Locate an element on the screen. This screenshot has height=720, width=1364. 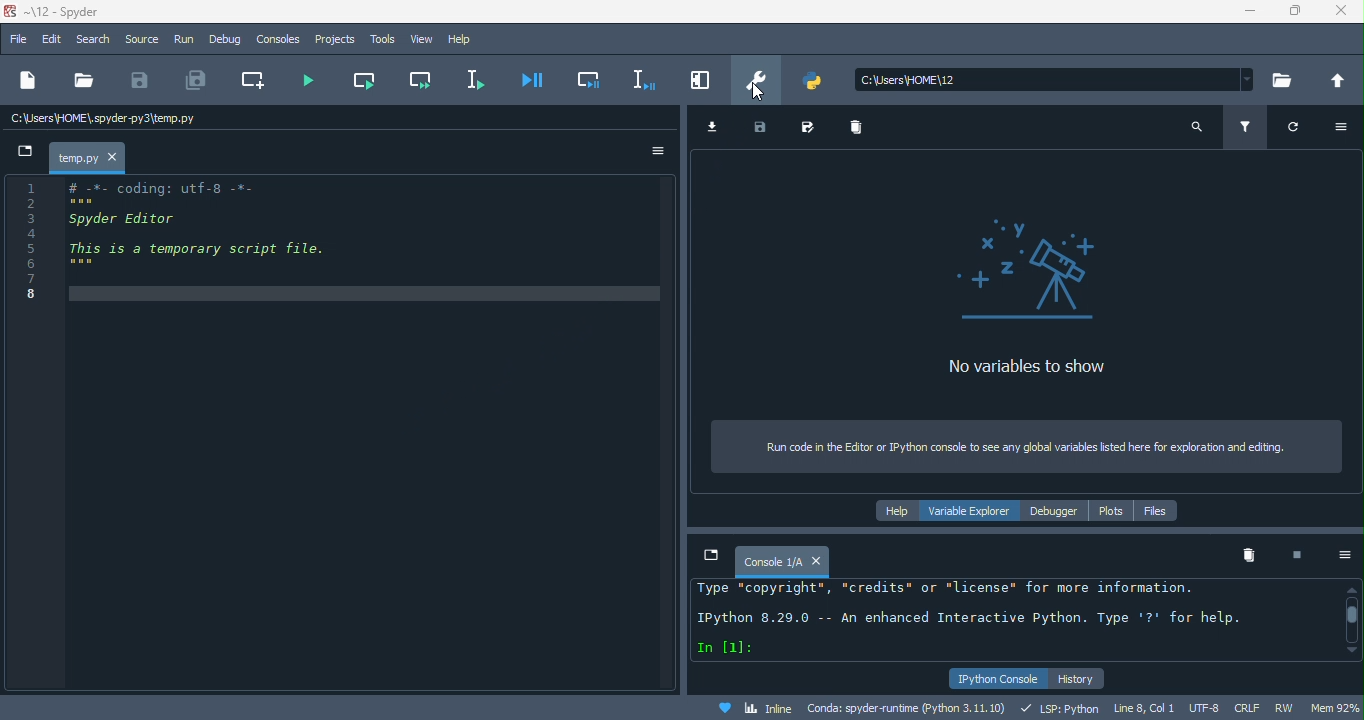
console is located at coordinates (278, 38).